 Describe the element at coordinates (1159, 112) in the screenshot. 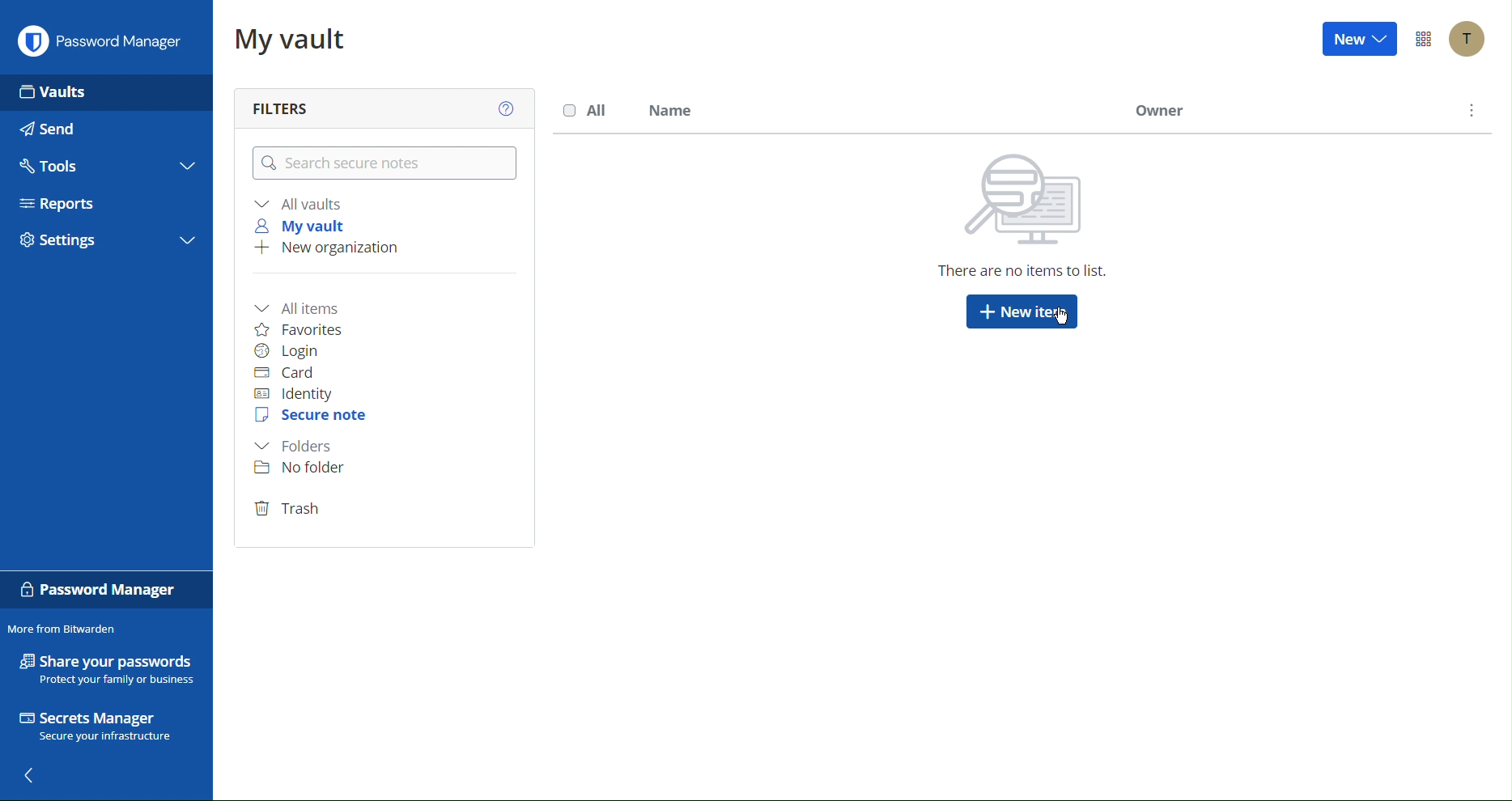

I see `Owner` at that location.